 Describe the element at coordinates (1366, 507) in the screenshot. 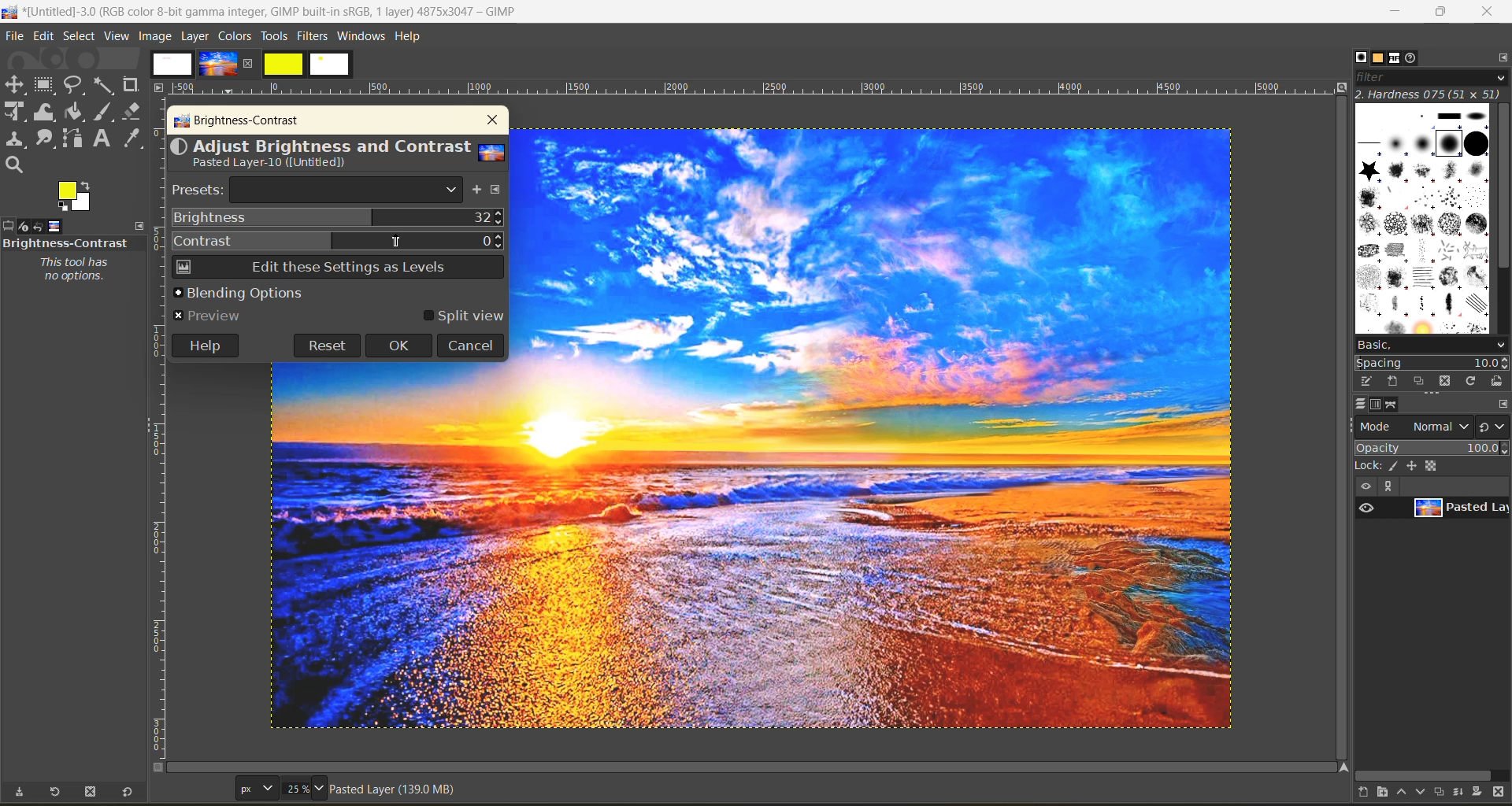

I see `preview` at that location.